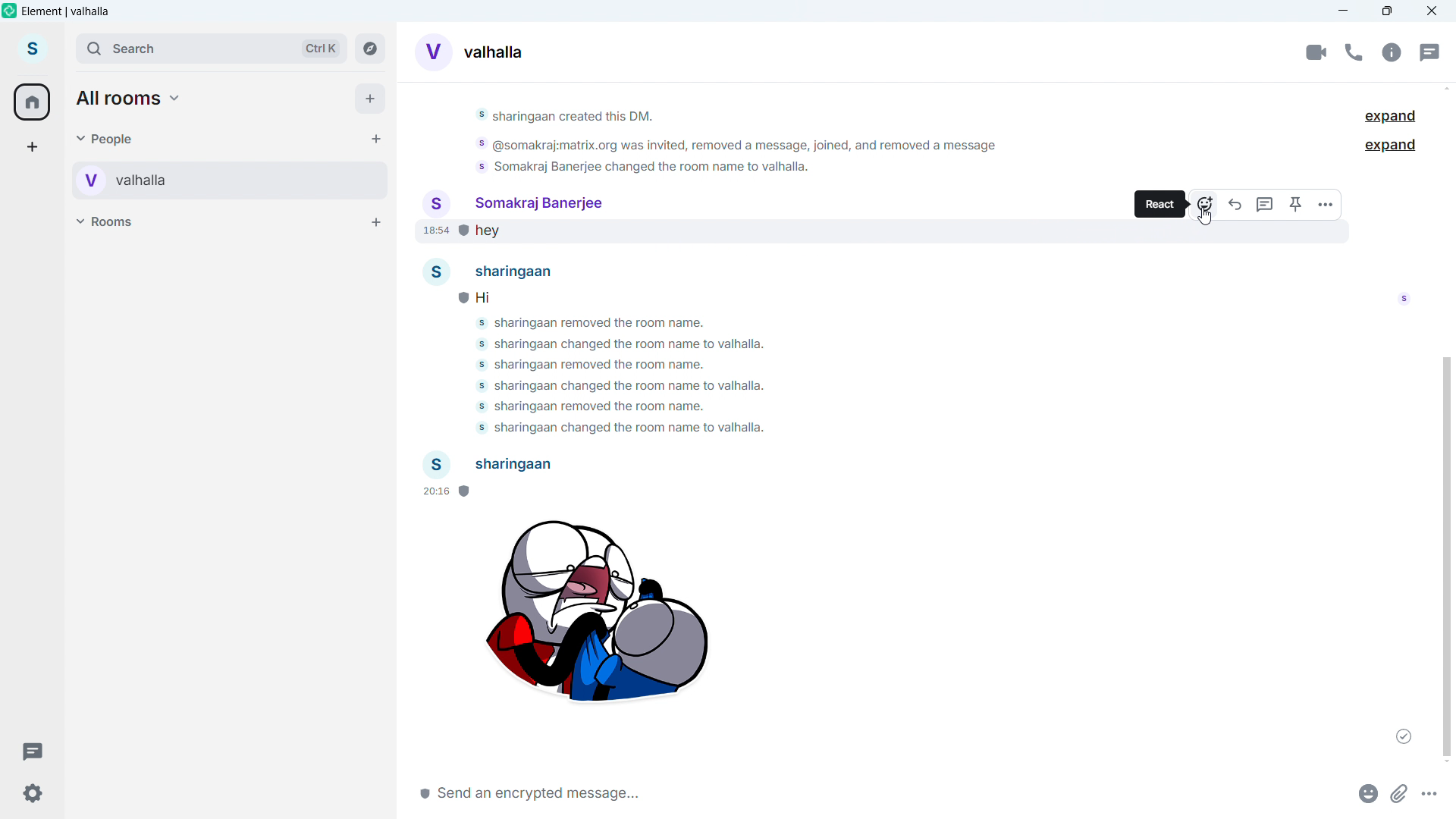 The image size is (1456, 819). I want to click on hey, so click(727, 234).